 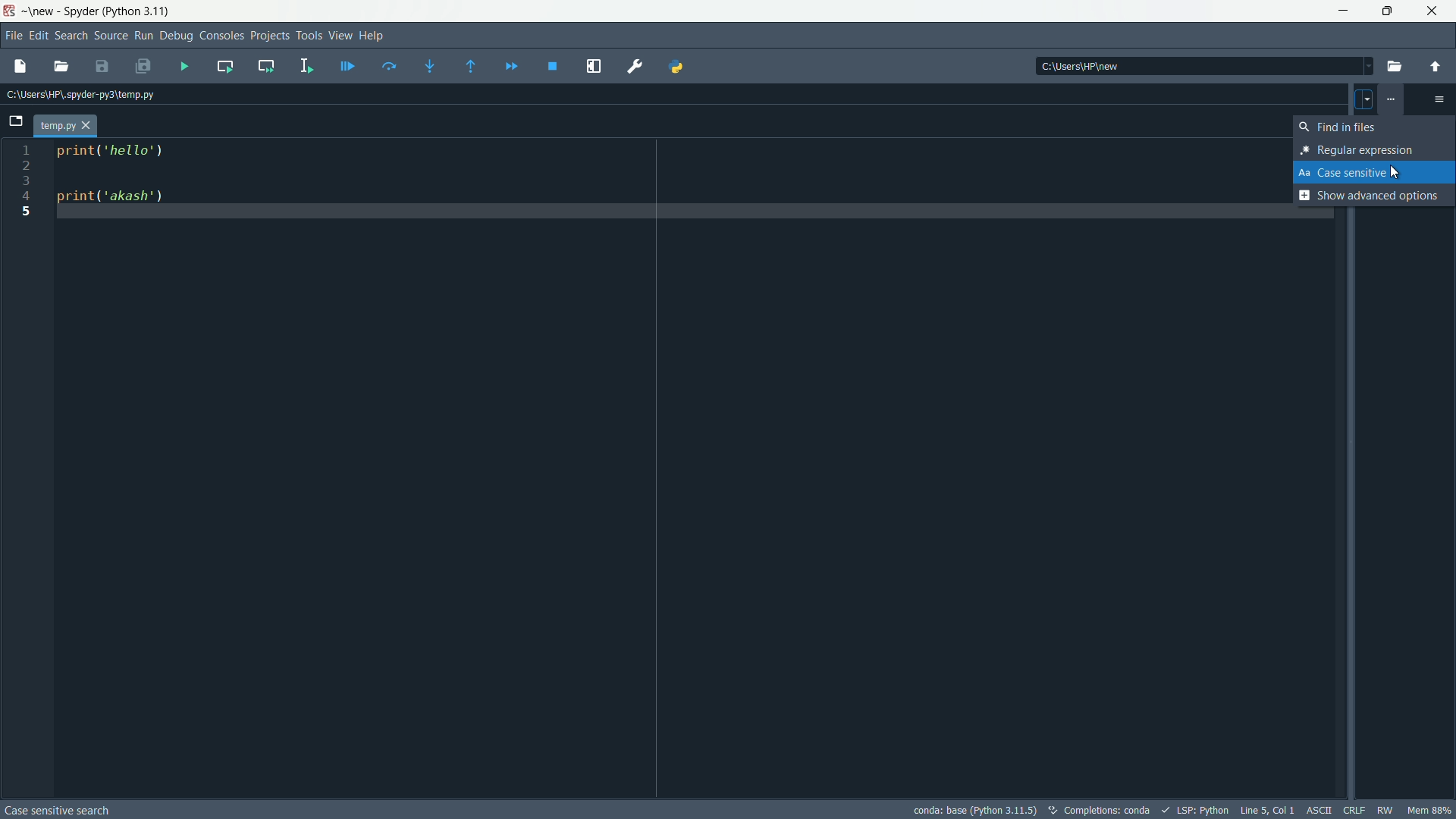 What do you see at coordinates (1440, 99) in the screenshot?
I see `more options` at bounding box center [1440, 99].